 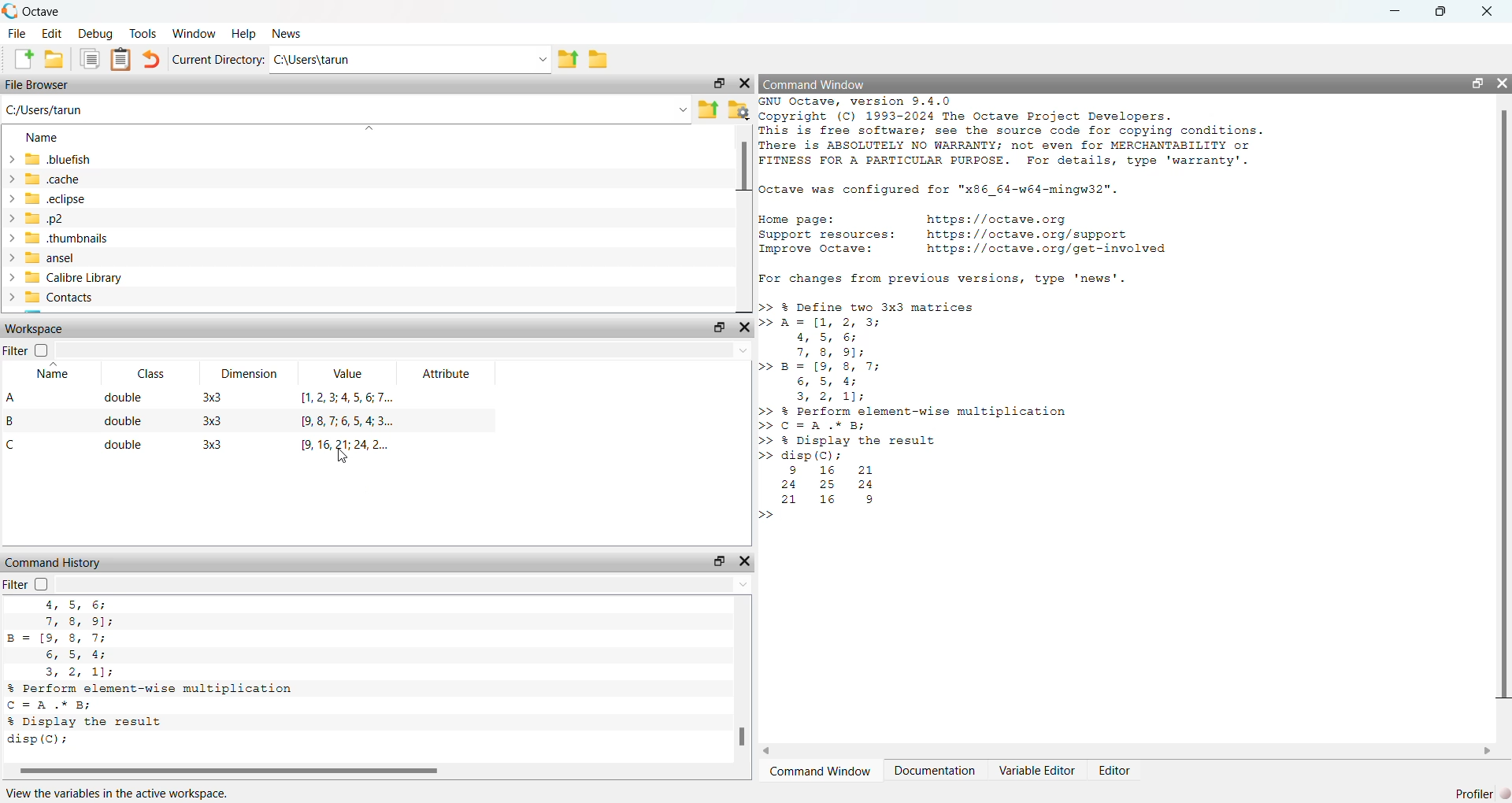 What do you see at coordinates (1015, 132) in the screenshot?
I see `GNU Octave, version 9.4.0

Copyright (C) 1993-2024 The Octave Project Developers.

This is free software; see the source code for copying conditions.
There is ABSOLUTELY NO WARRANTY; not even for MERCHANTABILITY or
FITNESS FOR A PARTICULAR PURPOSE. For details, type 'warranty'.` at bounding box center [1015, 132].